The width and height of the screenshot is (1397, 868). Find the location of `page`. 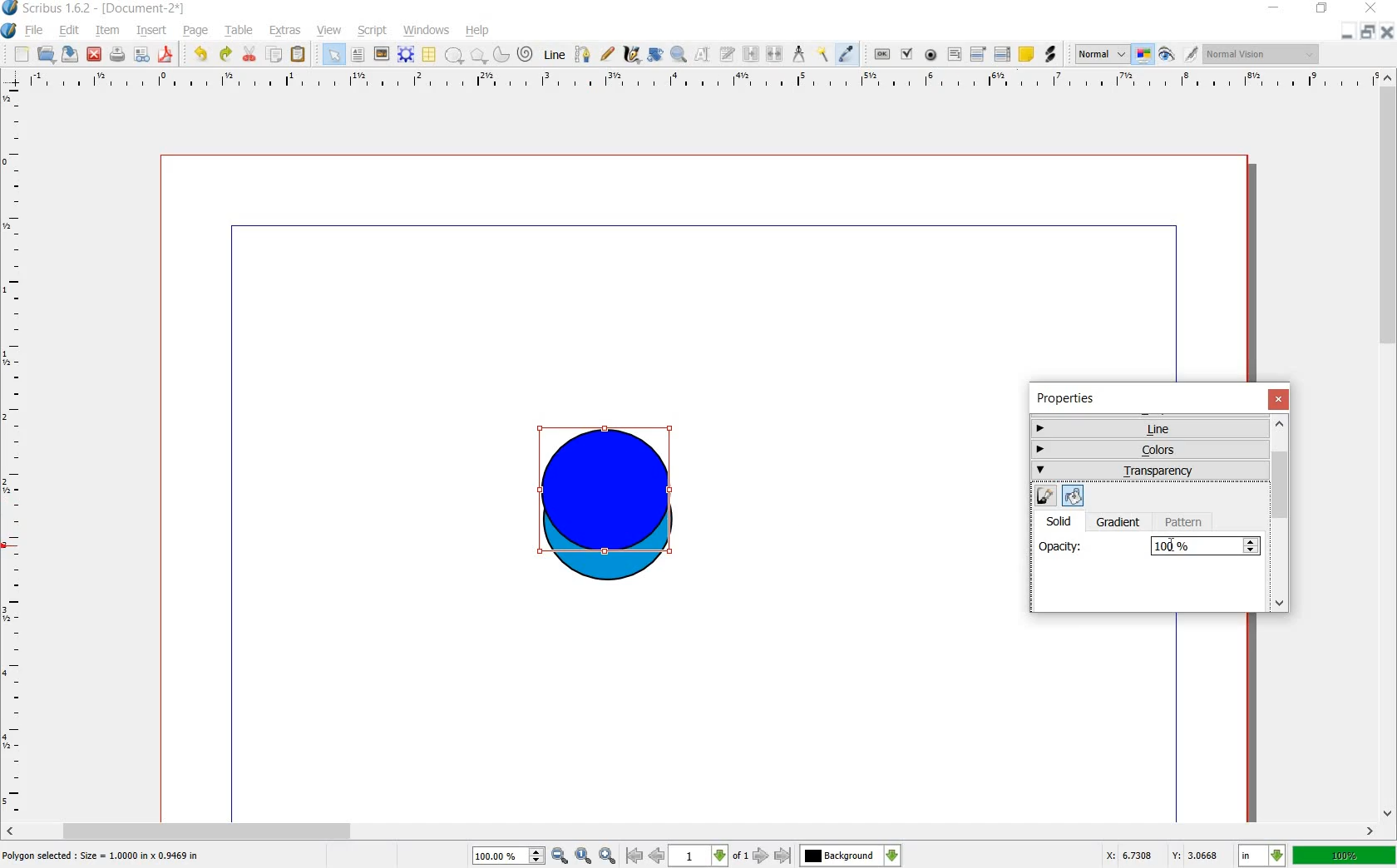

page is located at coordinates (198, 31).